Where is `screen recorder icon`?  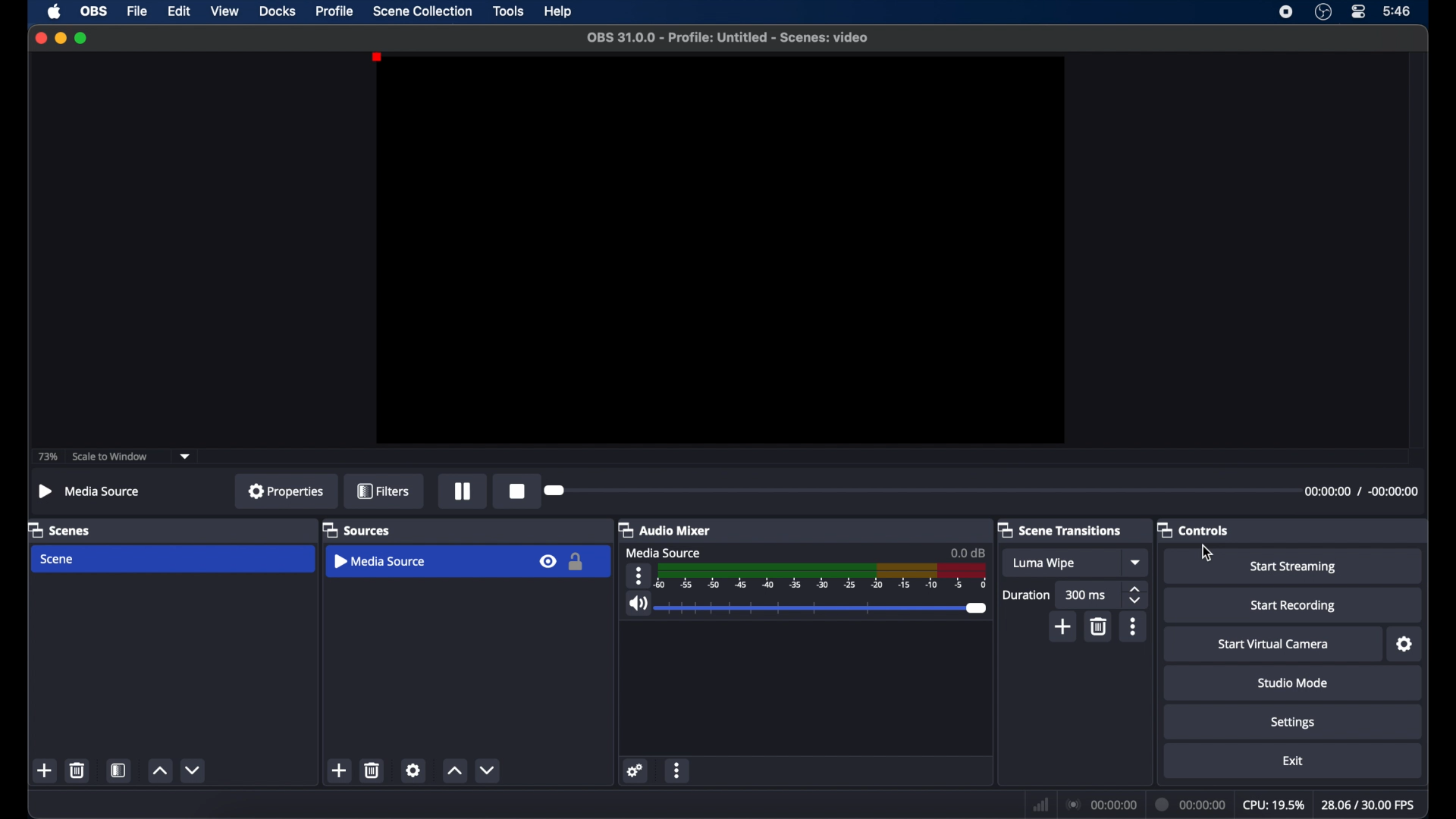 screen recorder icon is located at coordinates (1286, 11).